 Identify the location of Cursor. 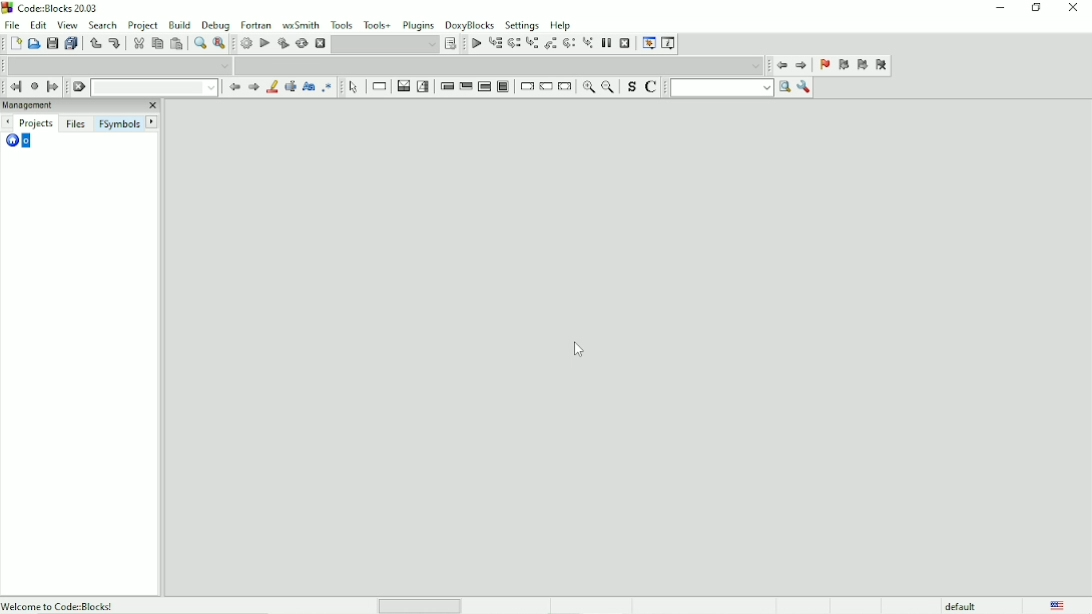
(579, 352).